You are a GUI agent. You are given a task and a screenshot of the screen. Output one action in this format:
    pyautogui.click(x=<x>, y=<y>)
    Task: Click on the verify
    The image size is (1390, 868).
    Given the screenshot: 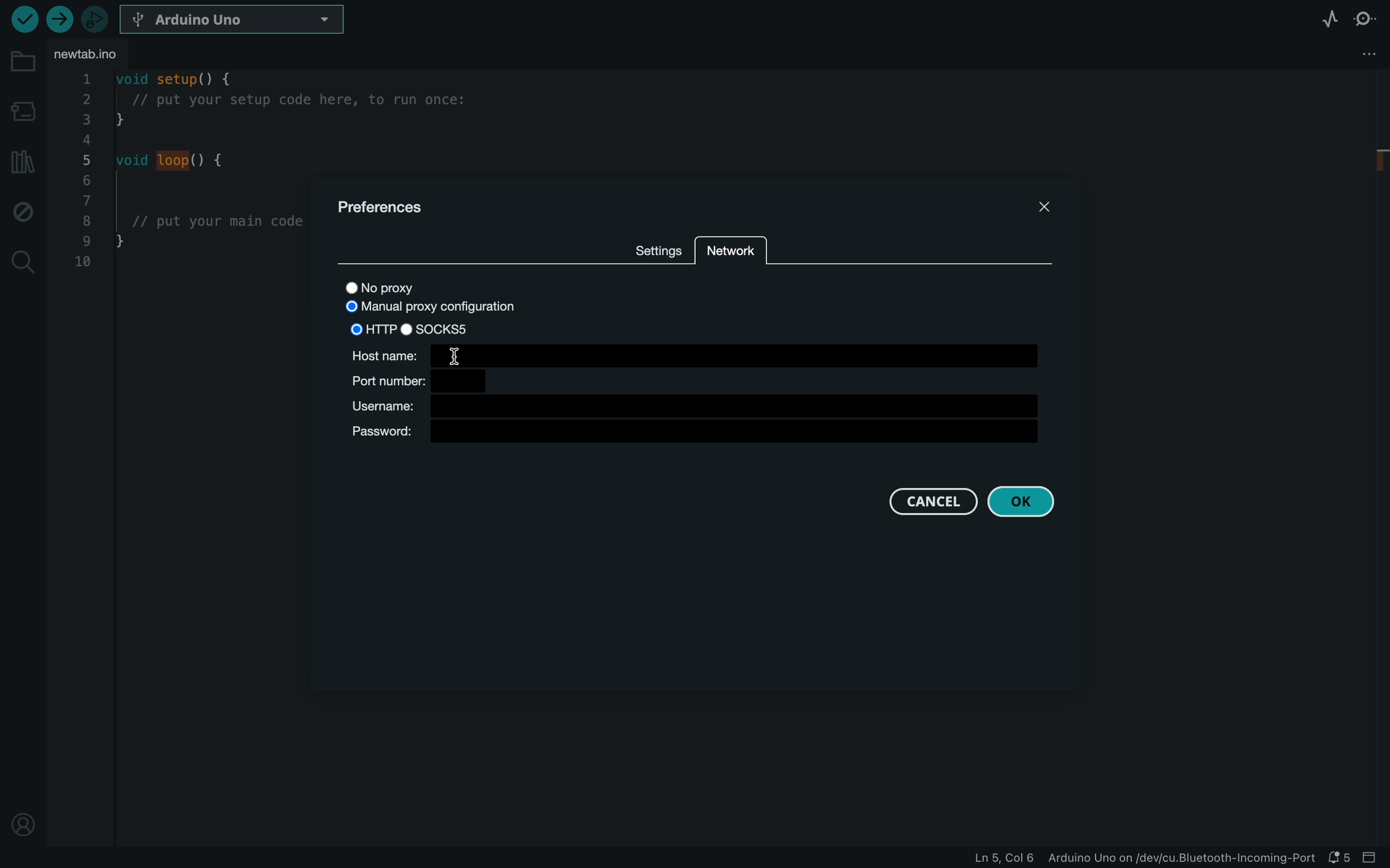 What is the action you would take?
    pyautogui.click(x=24, y=18)
    